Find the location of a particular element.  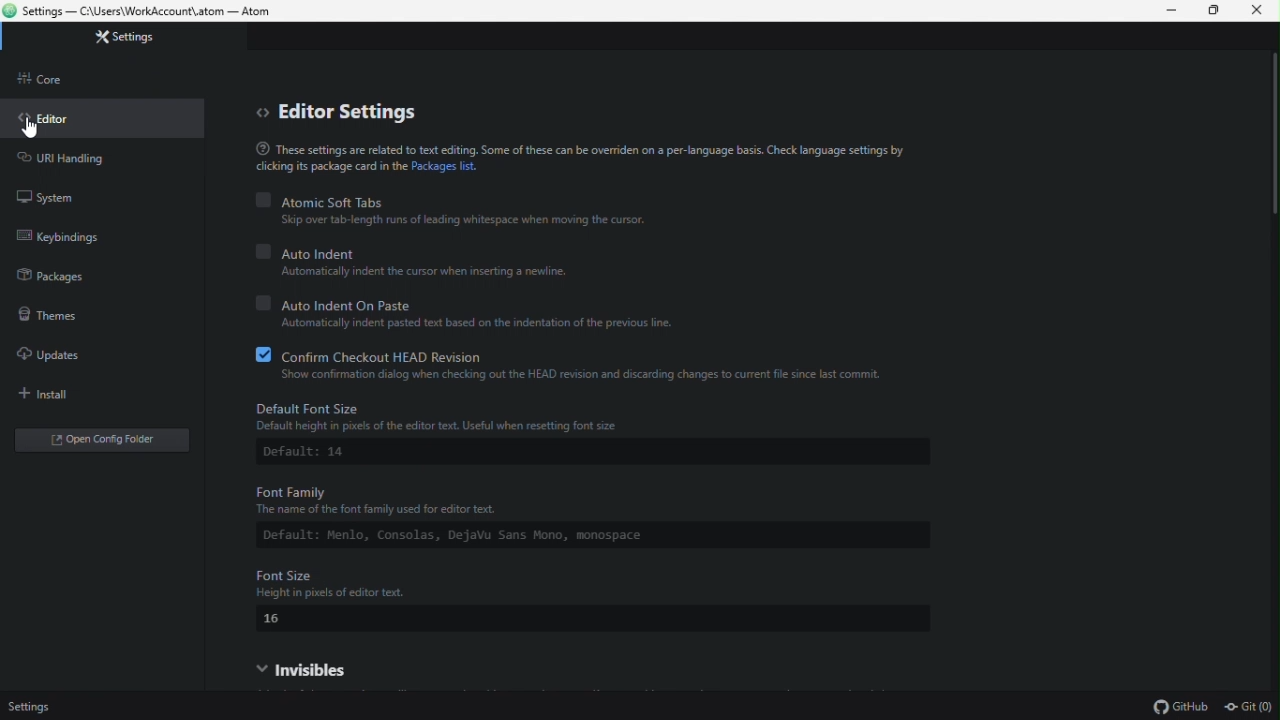

Default: Menlo, Consolas, DejaVu Sans Mono, monospace is located at coordinates (572, 533).